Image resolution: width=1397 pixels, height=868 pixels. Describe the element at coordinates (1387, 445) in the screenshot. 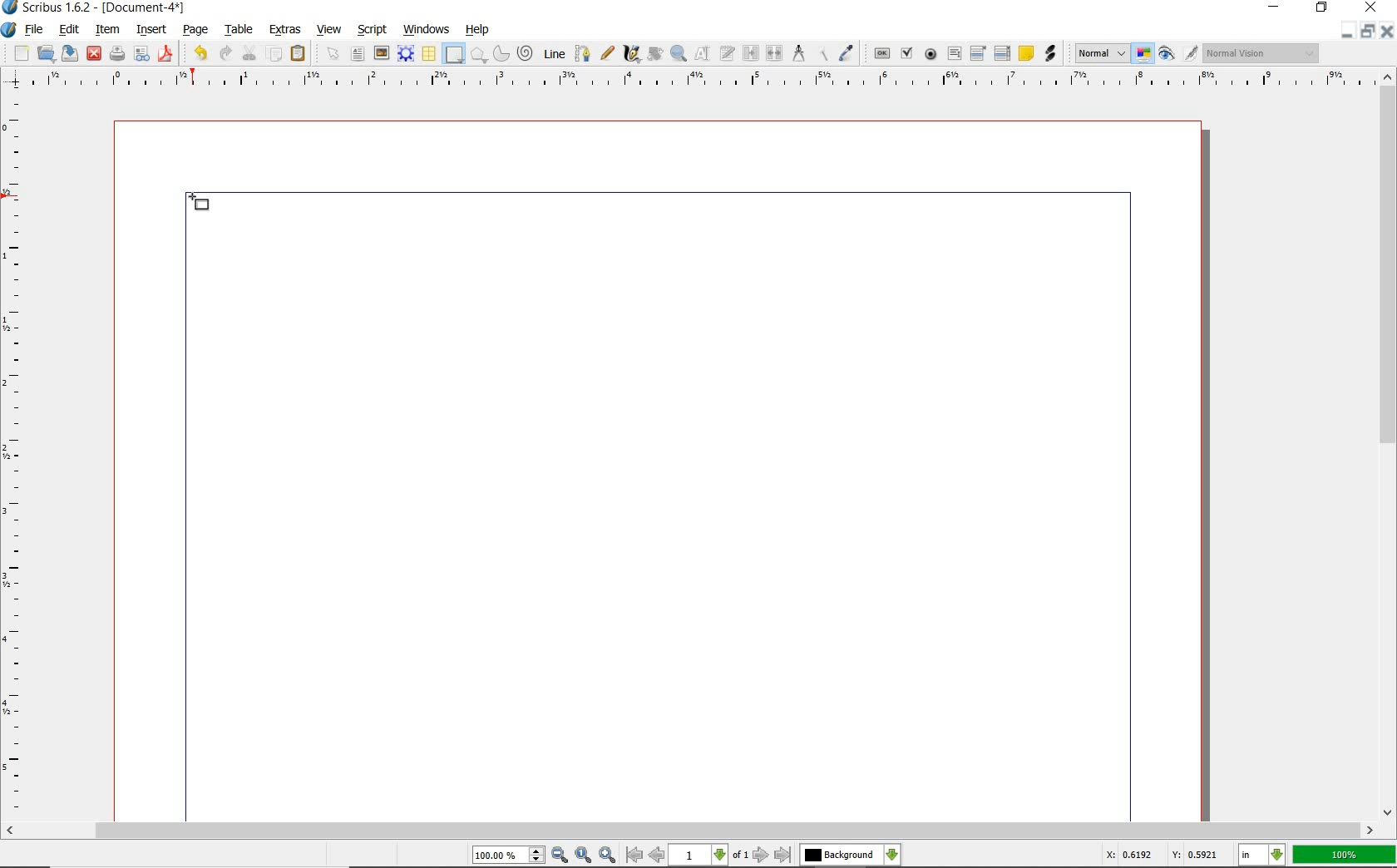

I see `scrollbar` at that location.